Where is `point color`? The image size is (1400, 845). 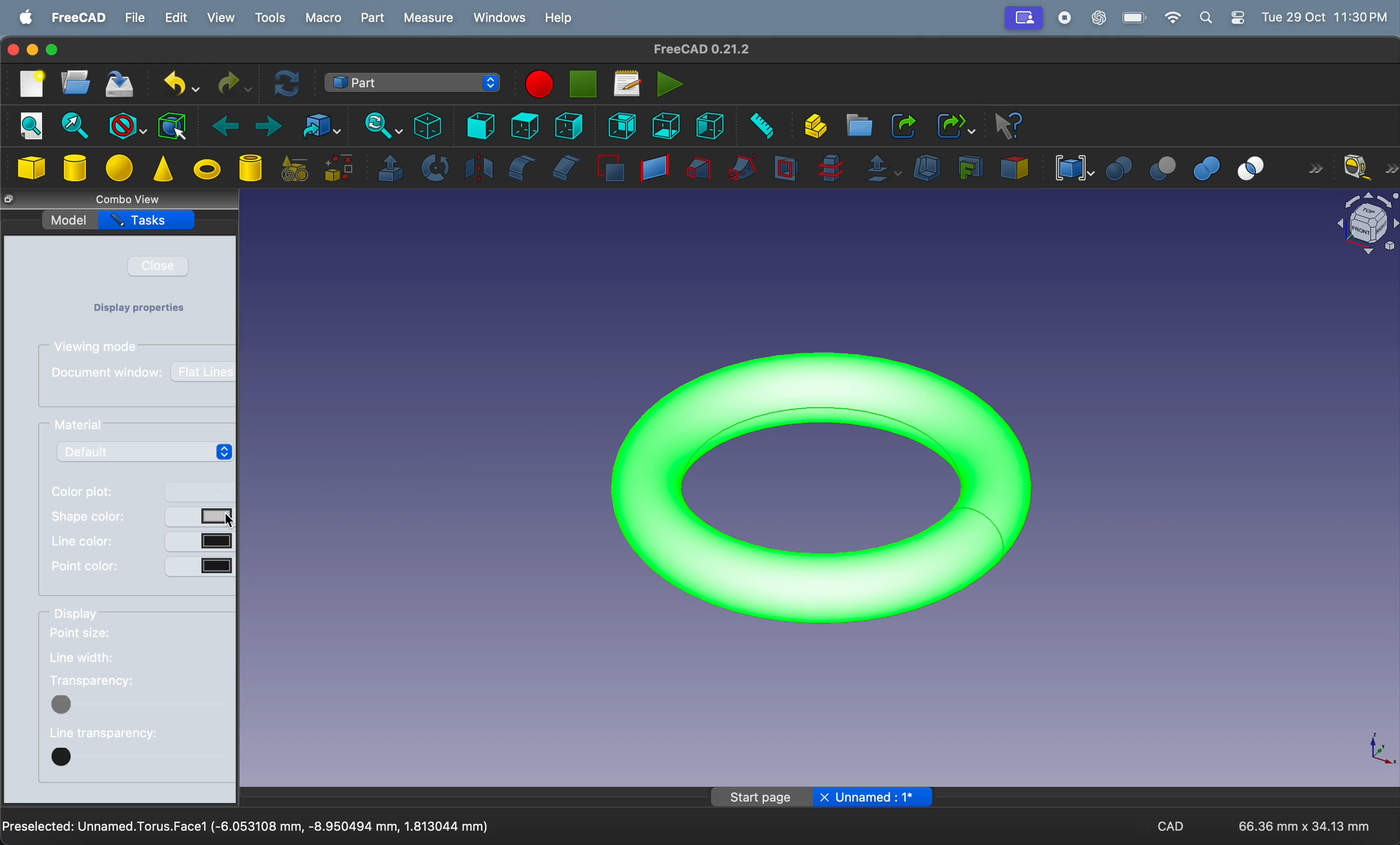 point color is located at coordinates (84, 566).